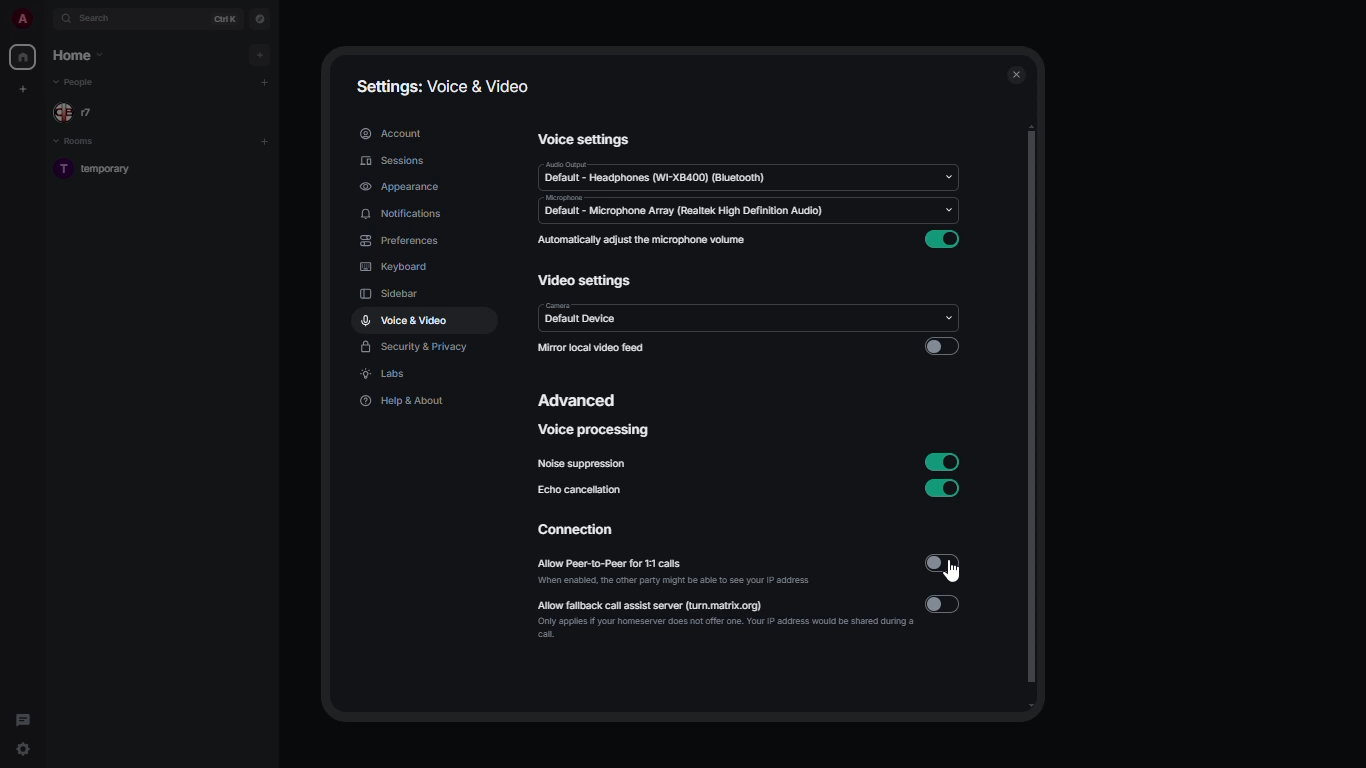  Describe the element at coordinates (593, 431) in the screenshot. I see `voice processing` at that location.